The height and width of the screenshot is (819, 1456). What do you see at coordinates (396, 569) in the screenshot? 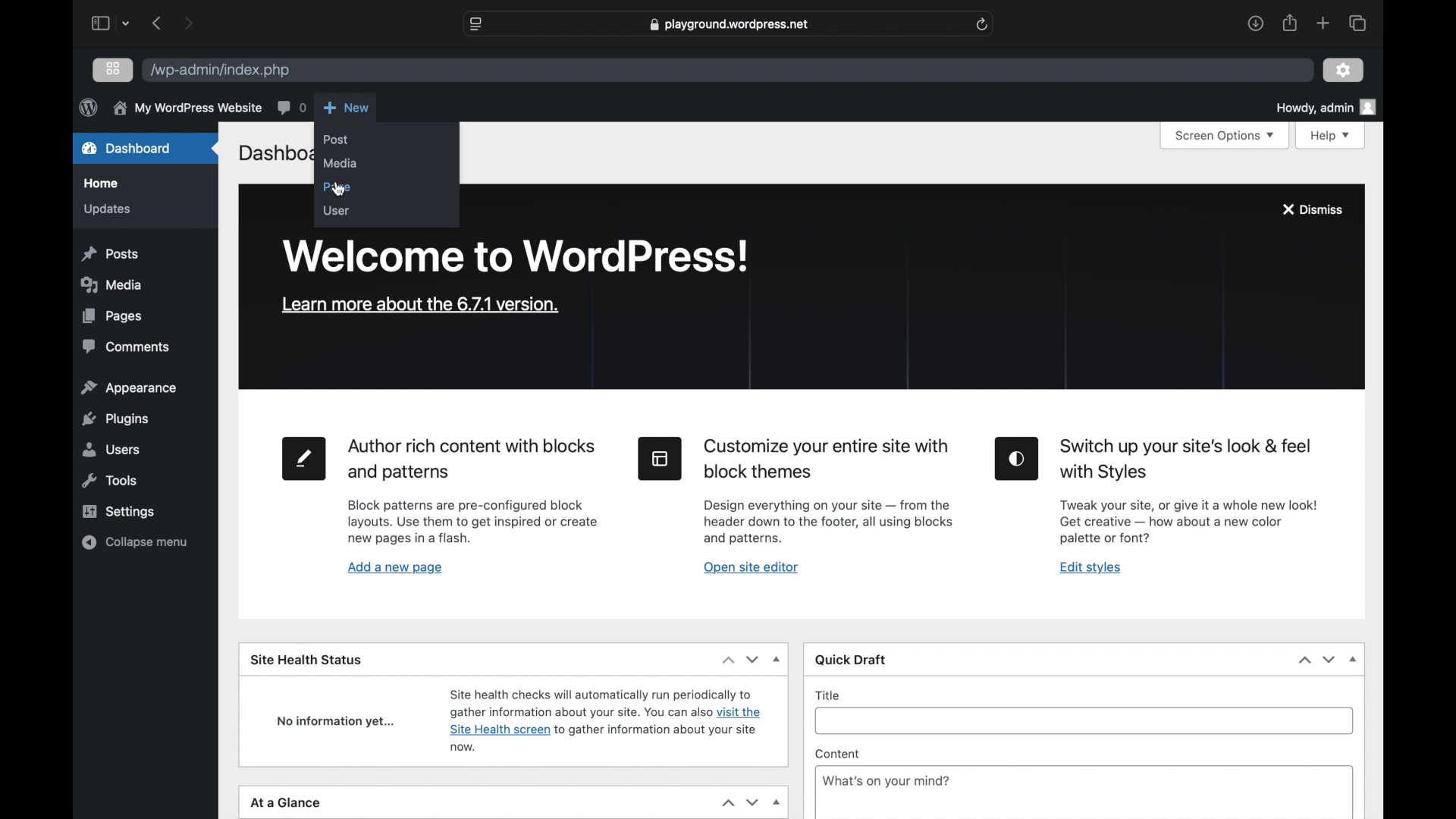
I see `add a new page` at bounding box center [396, 569].